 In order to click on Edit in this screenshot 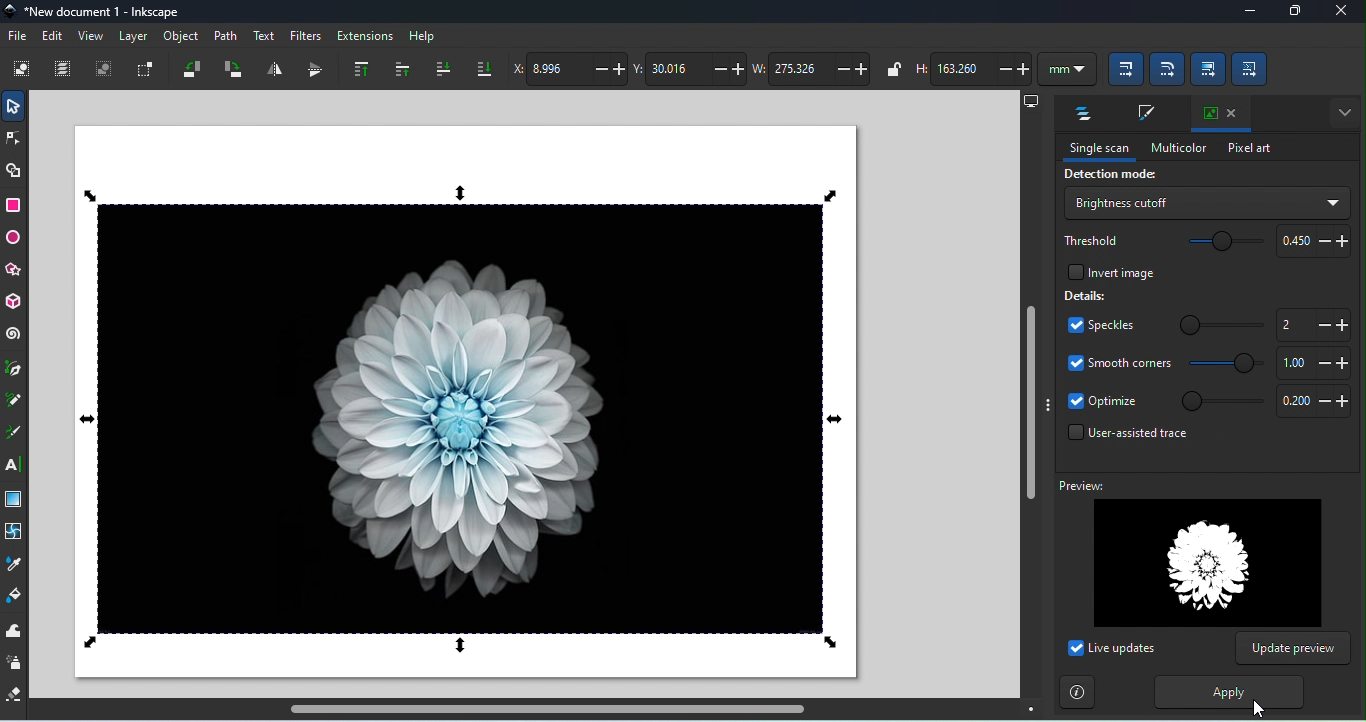, I will do `click(53, 36)`.